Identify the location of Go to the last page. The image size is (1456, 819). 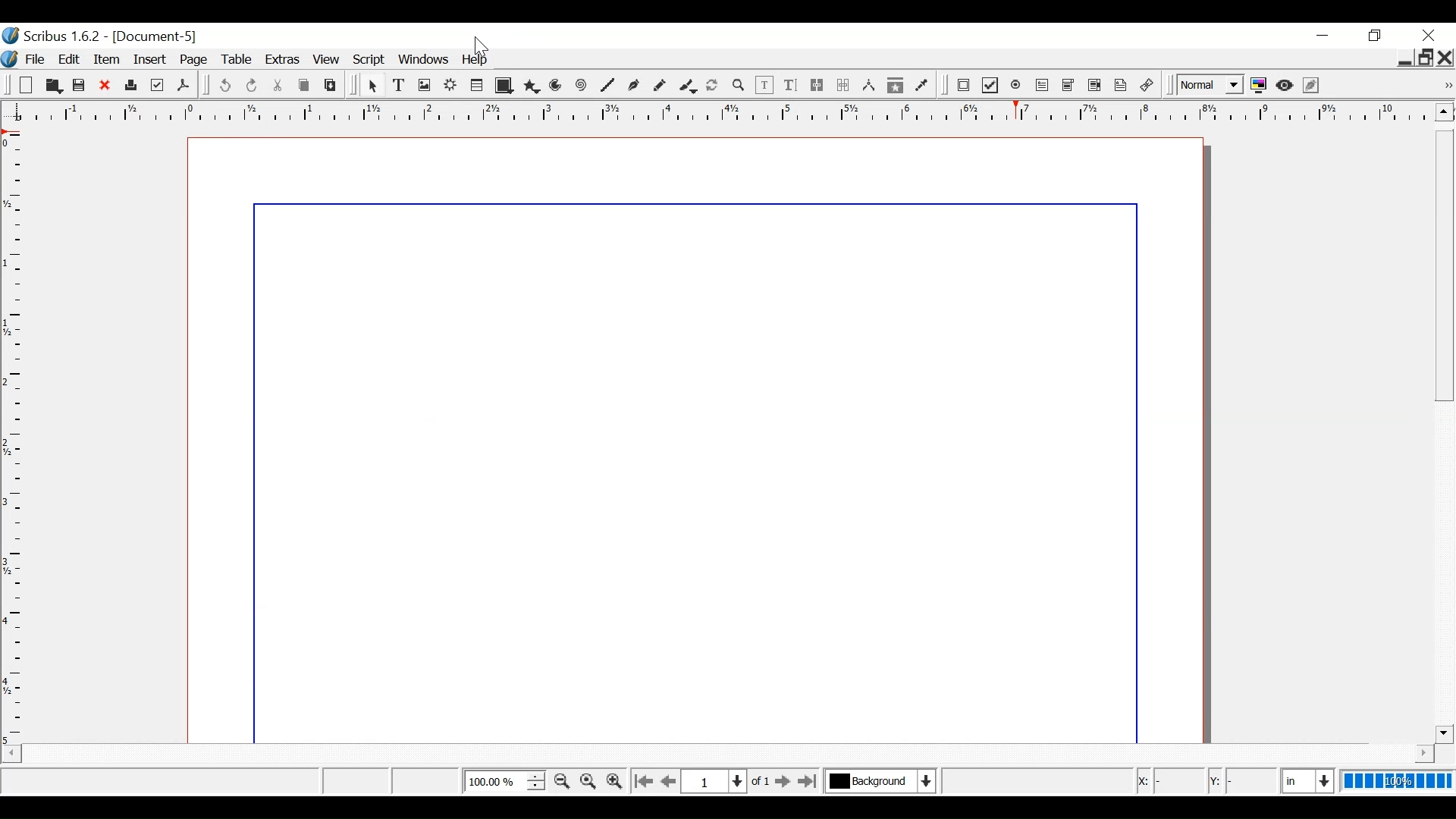
(809, 781).